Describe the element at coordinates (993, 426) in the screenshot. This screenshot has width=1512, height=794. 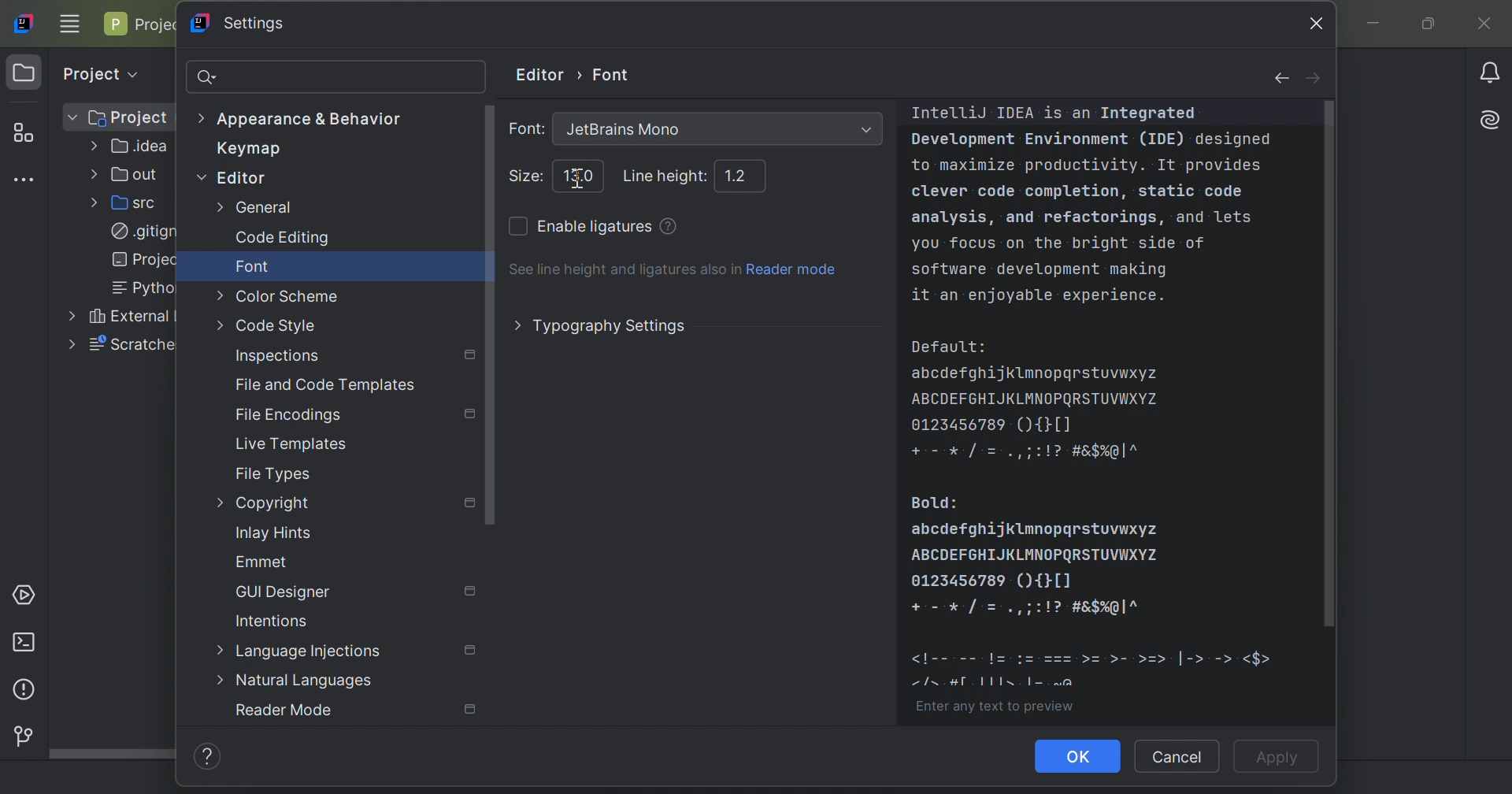
I see `0123456789(){}[]` at that location.